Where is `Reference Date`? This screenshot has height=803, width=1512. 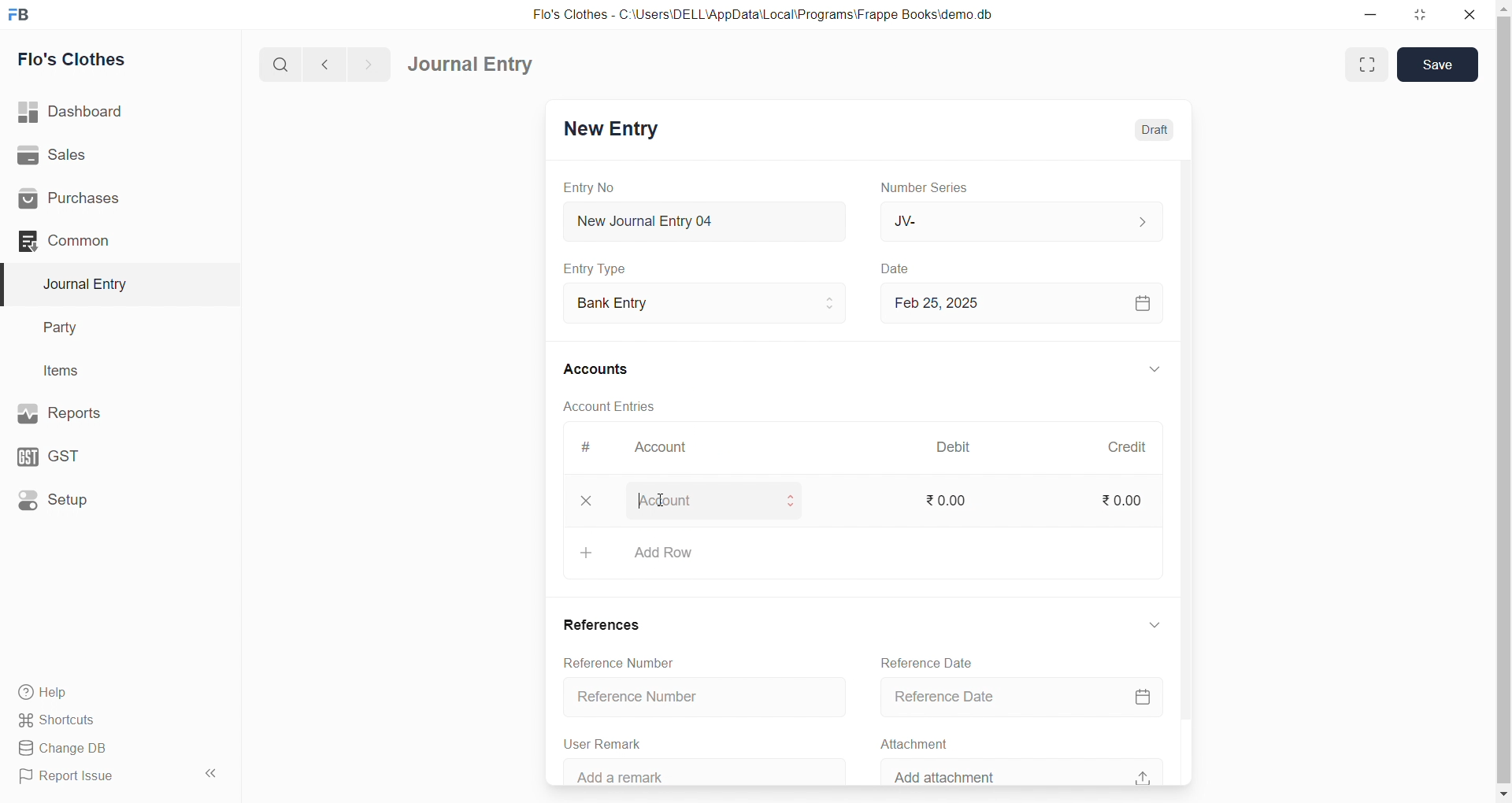 Reference Date is located at coordinates (1026, 698).